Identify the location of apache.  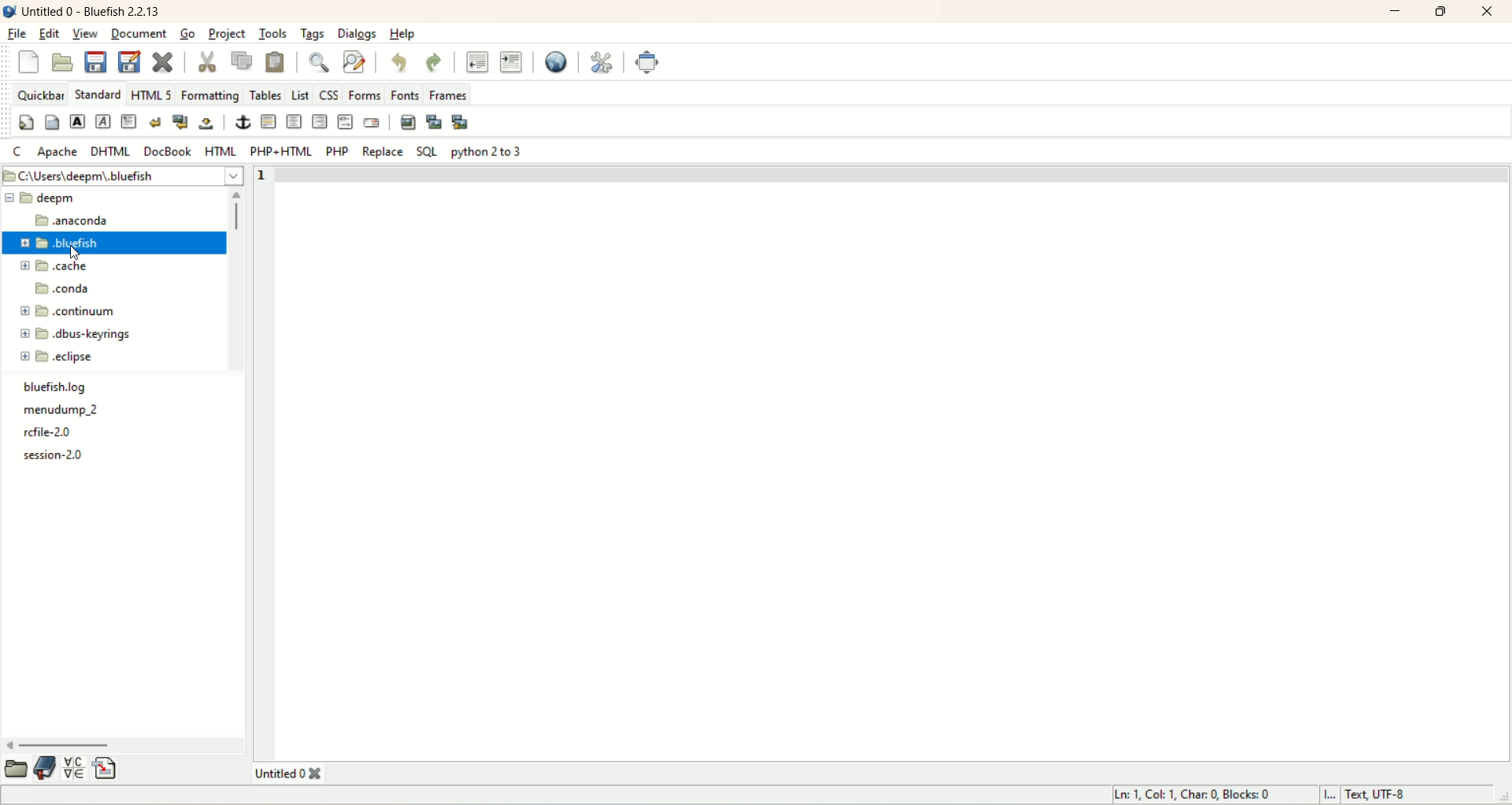
(57, 153).